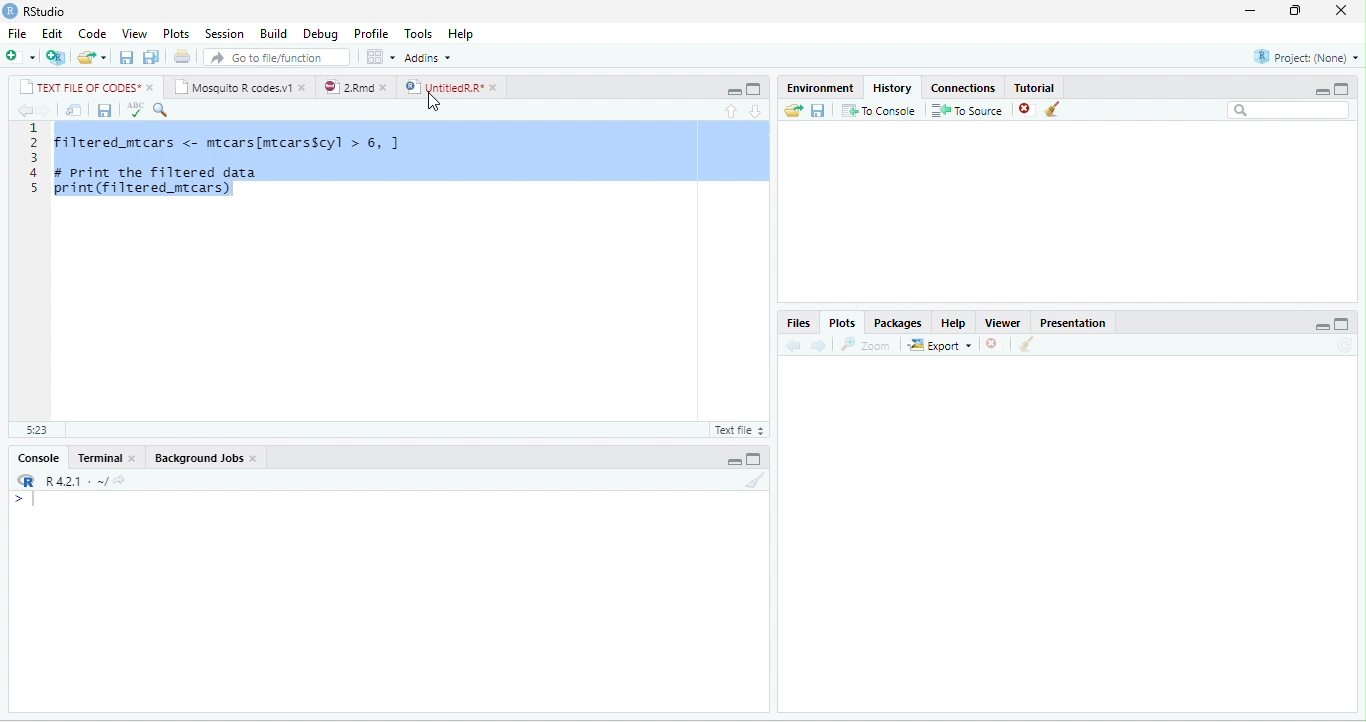 The height and width of the screenshot is (722, 1366). I want to click on logo, so click(10, 11).